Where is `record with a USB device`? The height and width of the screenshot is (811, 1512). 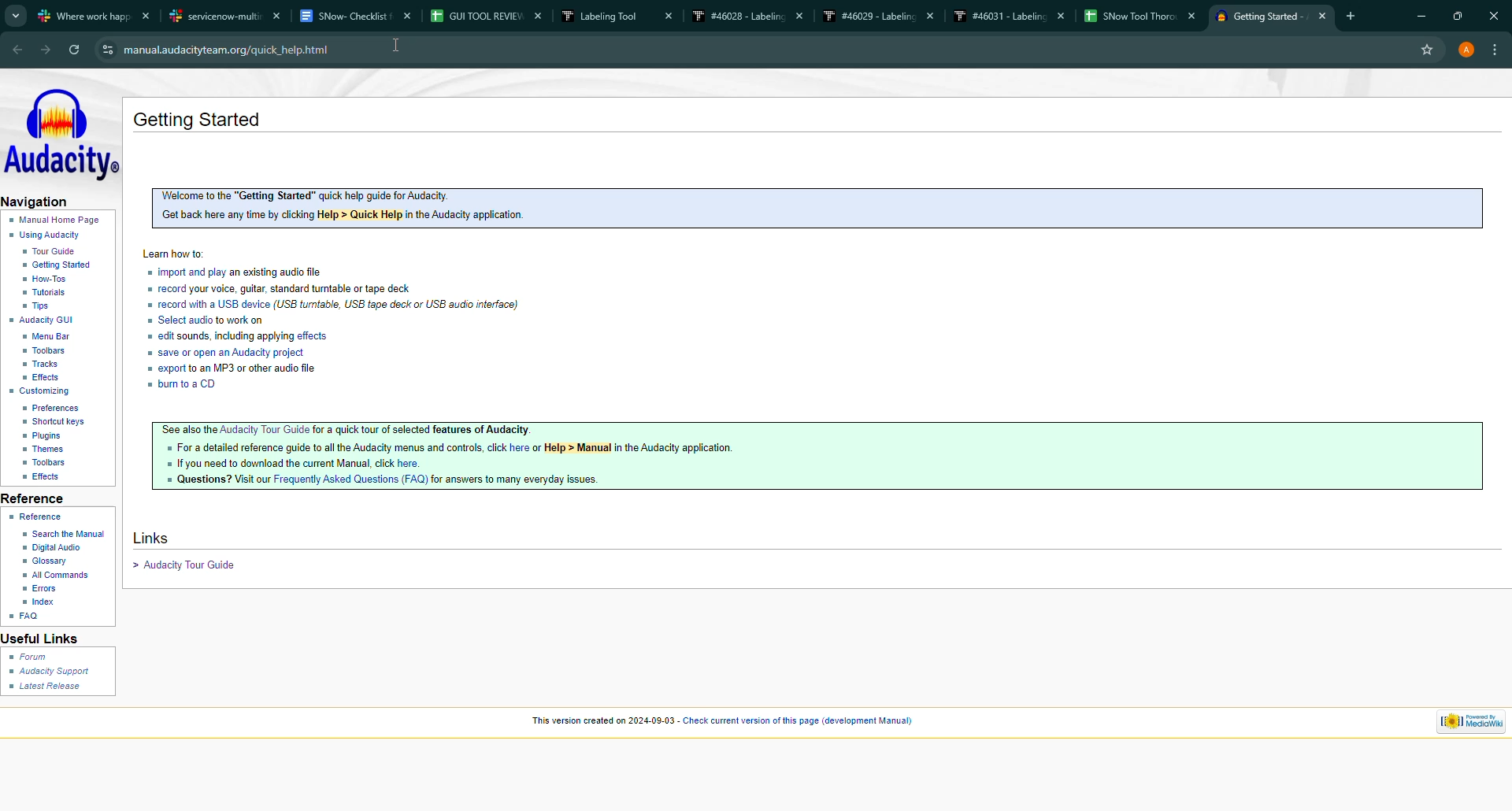
record with a USB device is located at coordinates (208, 305).